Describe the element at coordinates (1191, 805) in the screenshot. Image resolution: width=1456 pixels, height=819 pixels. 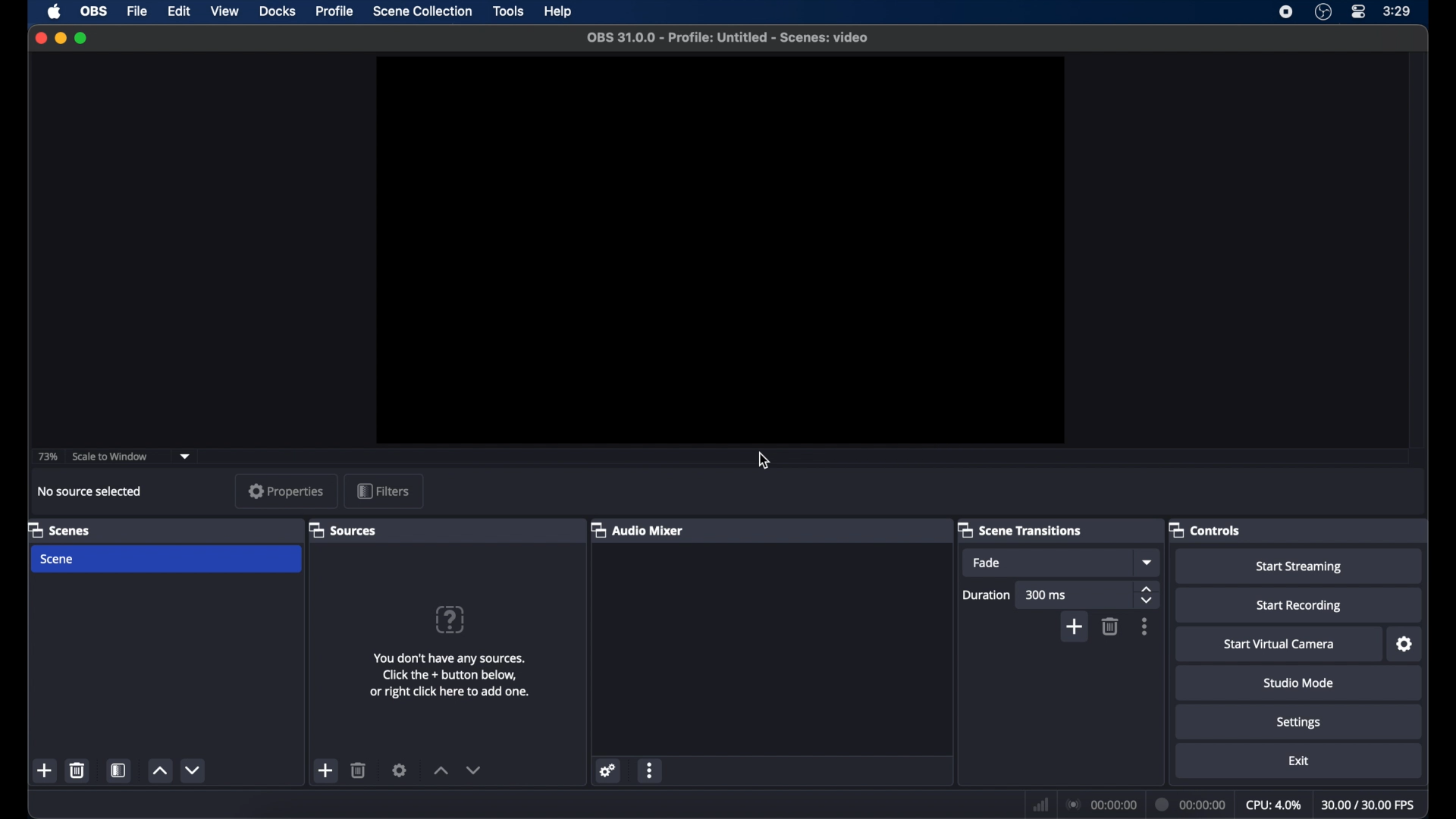
I see `duration` at that location.